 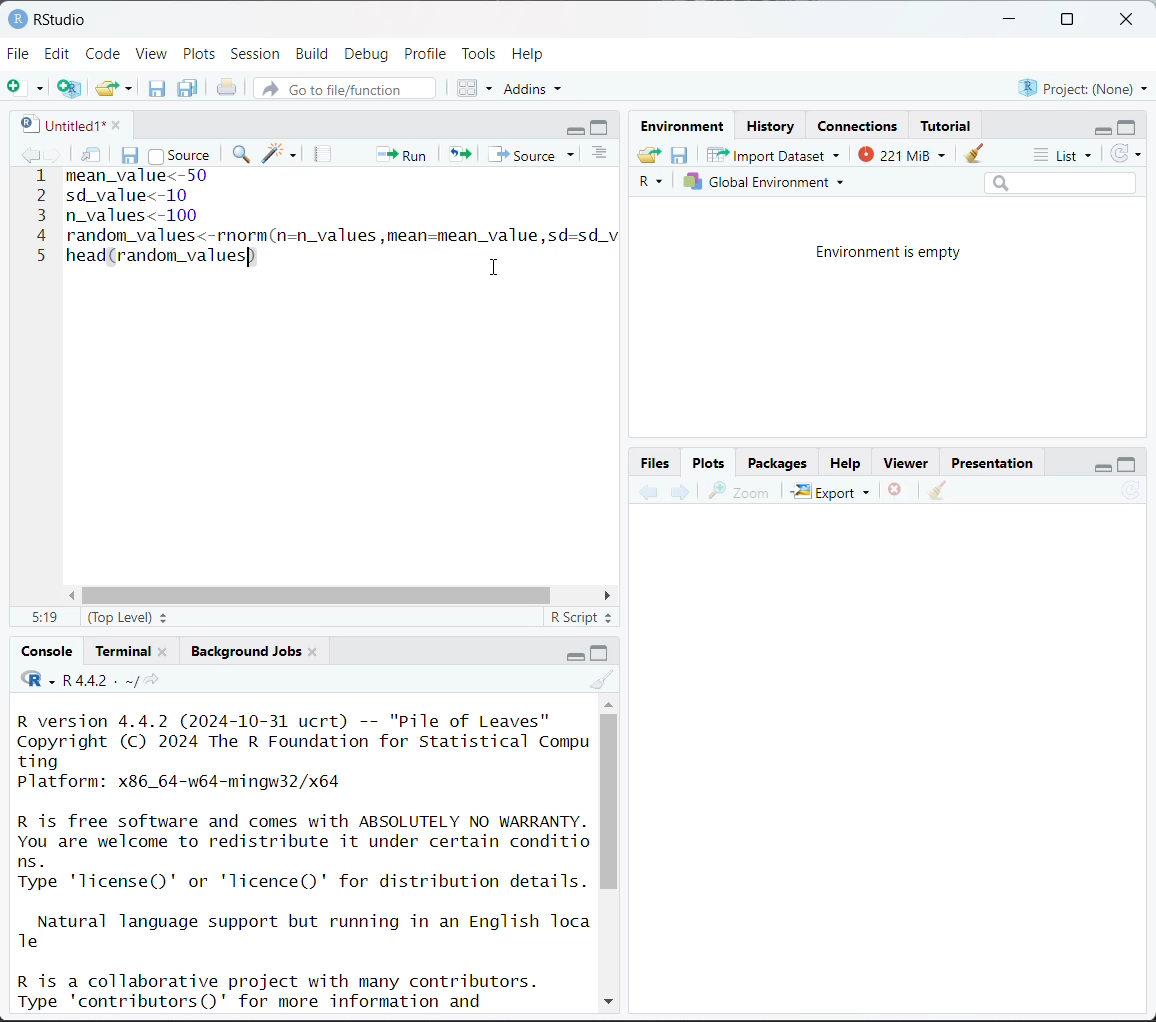 I want to click on zoom, so click(x=739, y=491).